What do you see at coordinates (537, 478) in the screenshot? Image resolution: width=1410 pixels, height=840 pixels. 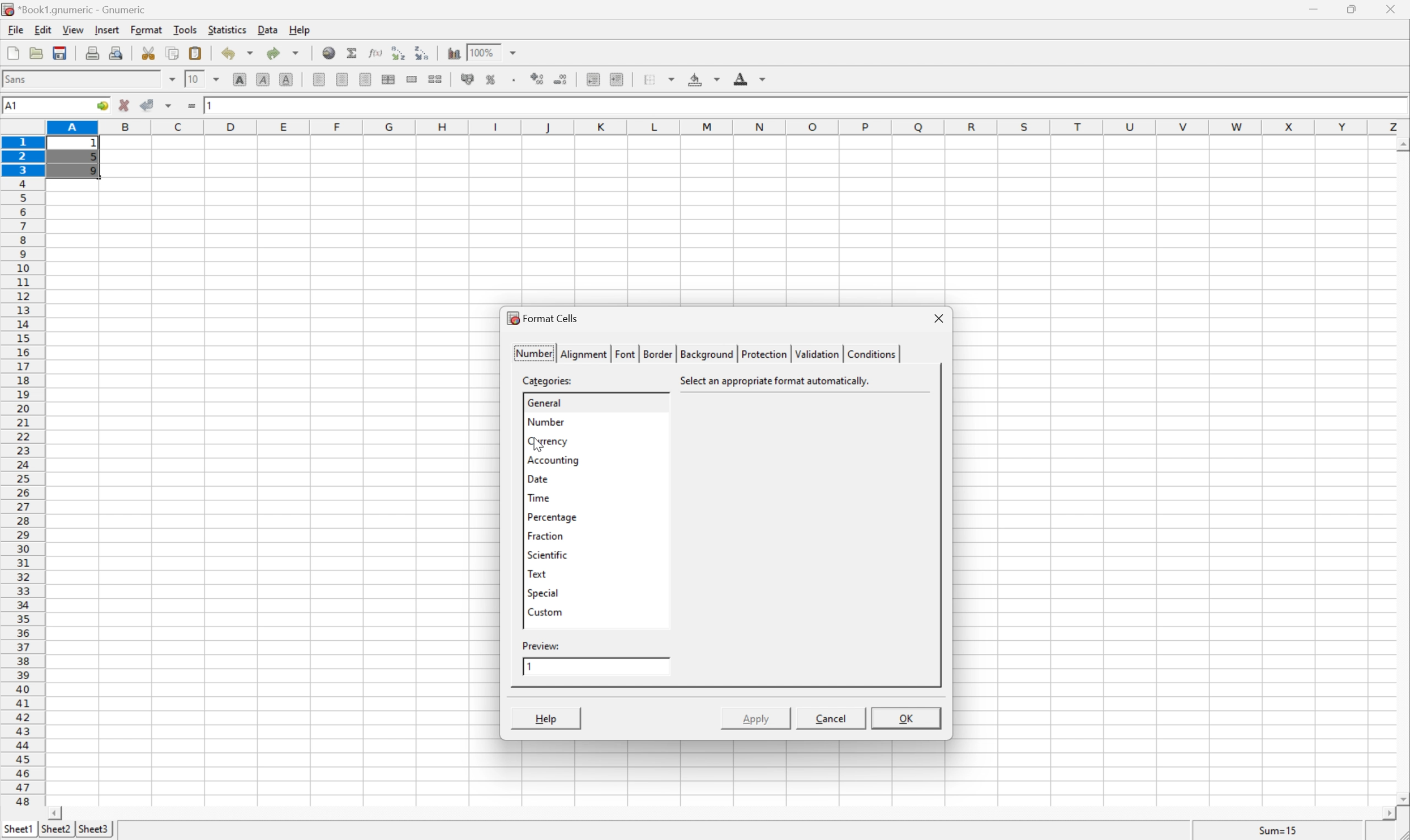 I see `date` at bounding box center [537, 478].